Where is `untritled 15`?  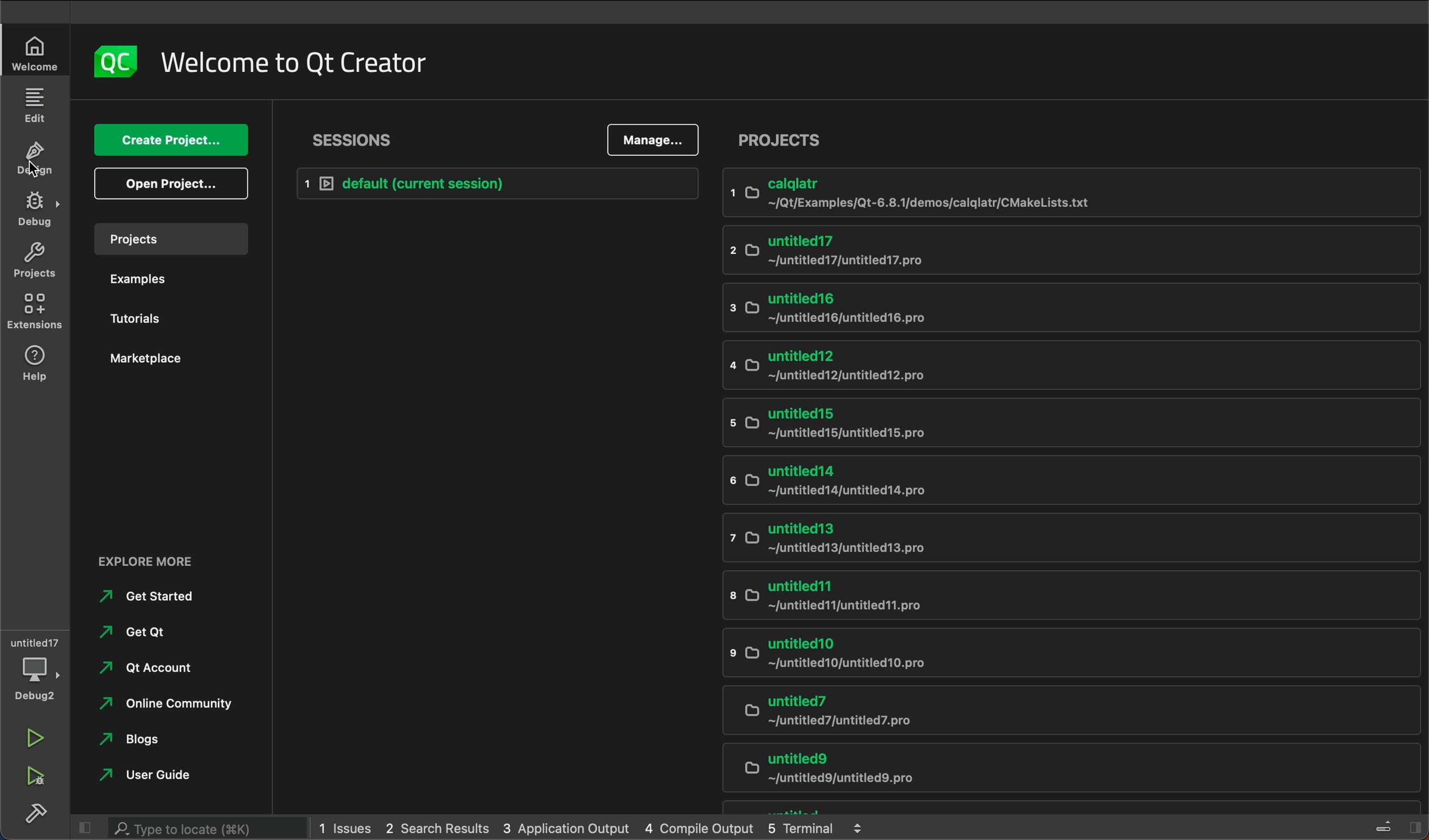 untritled 15 is located at coordinates (1042, 426).